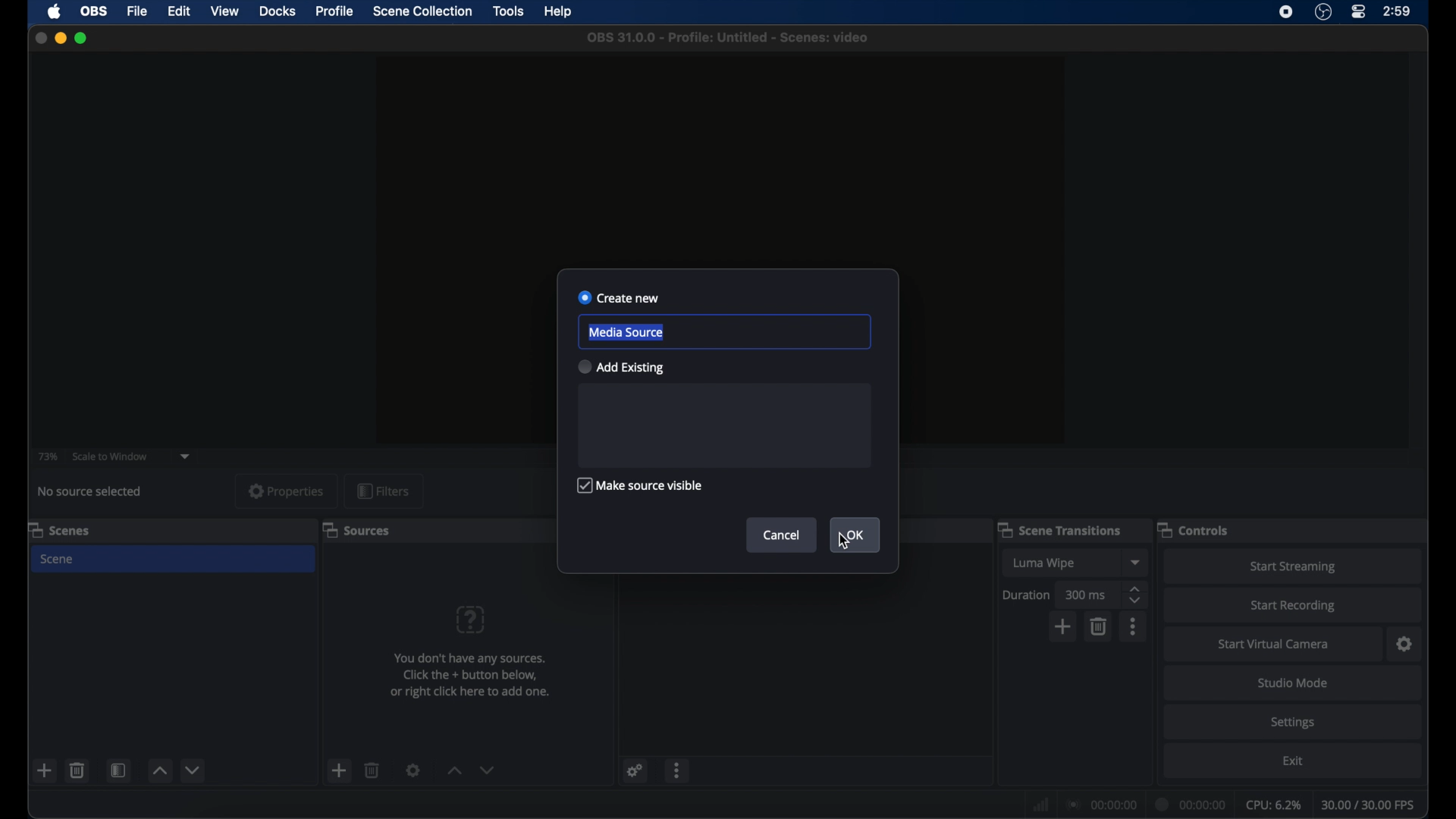 The image size is (1456, 819). I want to click on stepper buttons, so click(1136, 595).